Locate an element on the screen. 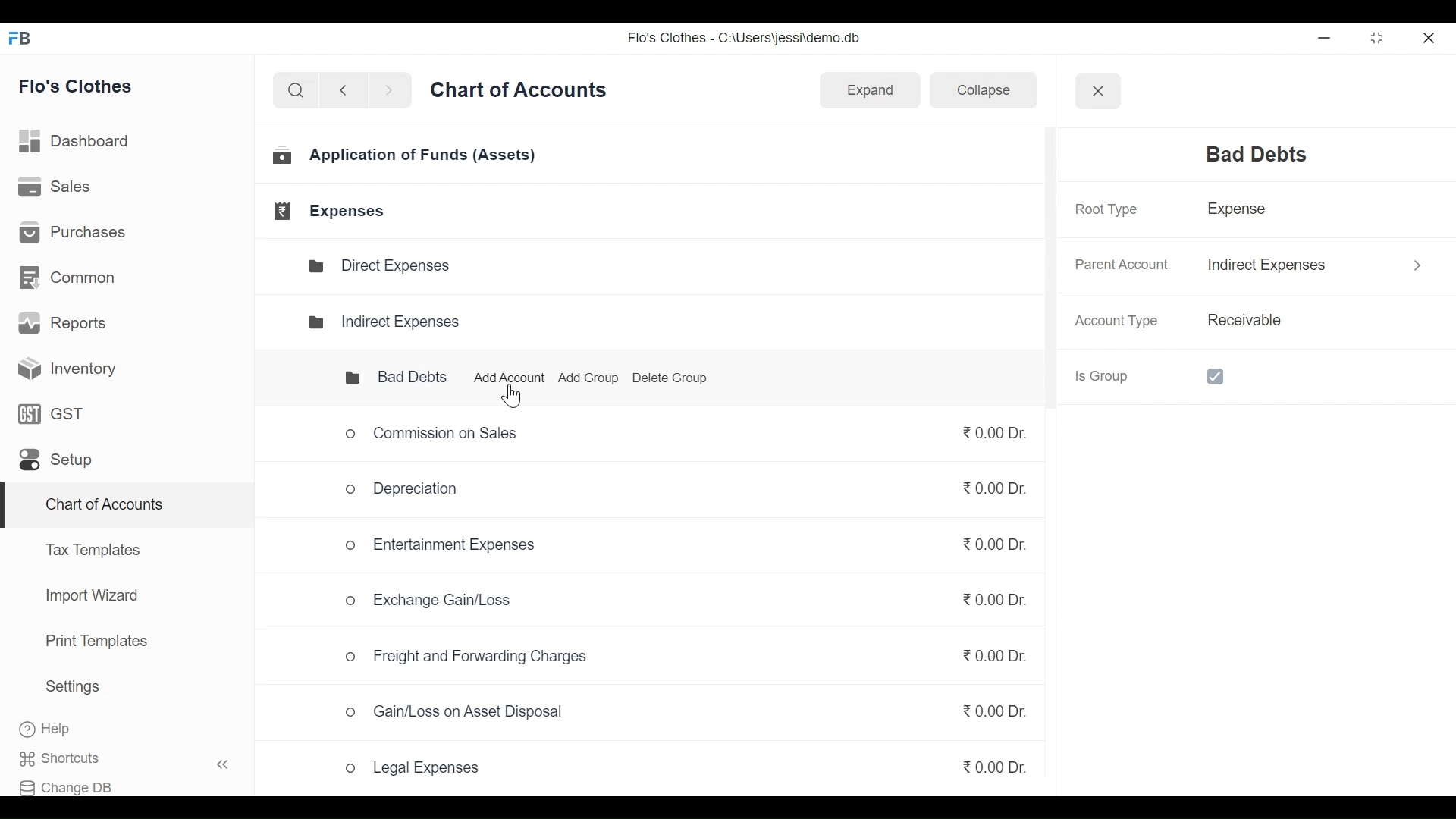  restore down is located at coordinates (1375, 39).